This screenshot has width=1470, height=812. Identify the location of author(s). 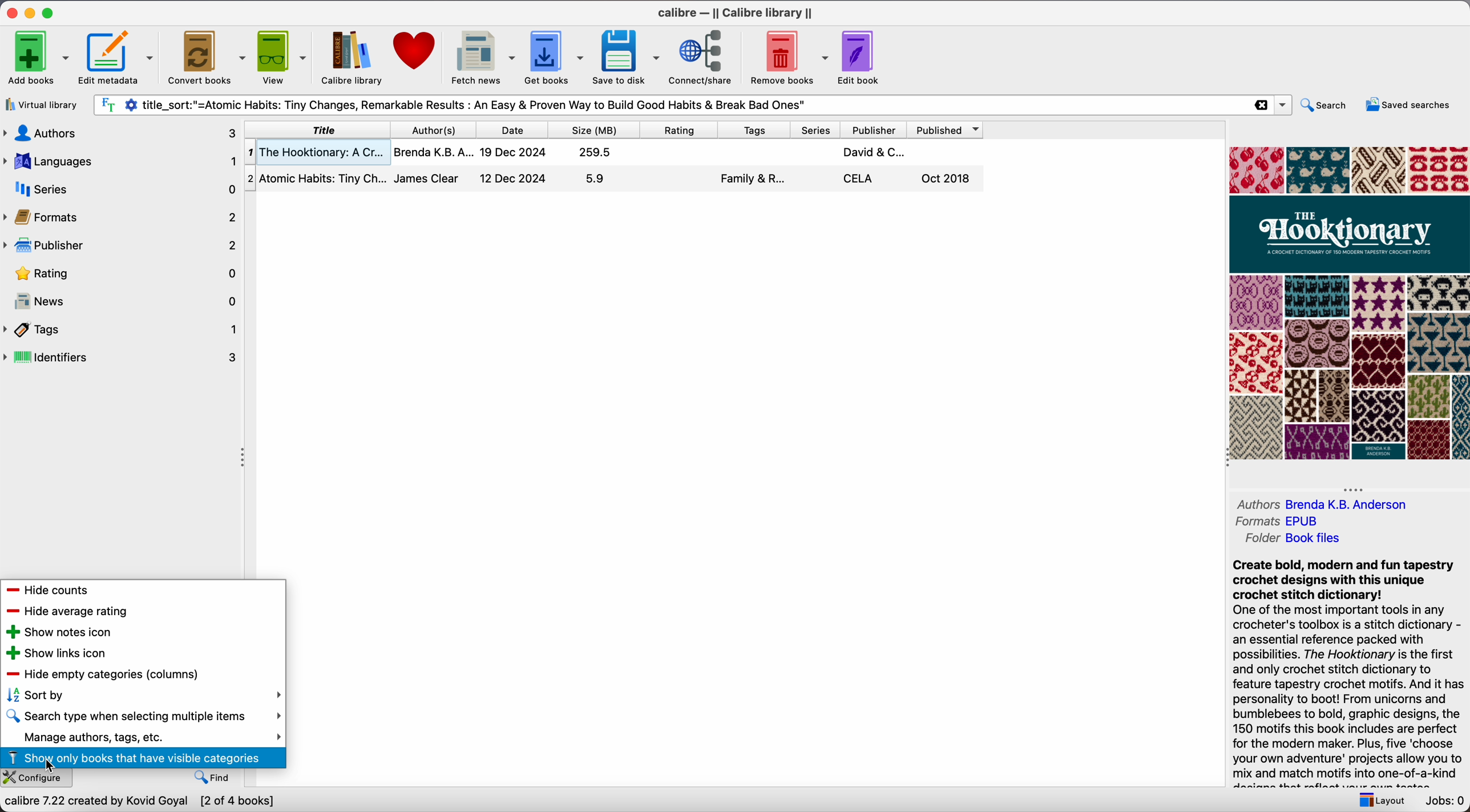
(434, 128).